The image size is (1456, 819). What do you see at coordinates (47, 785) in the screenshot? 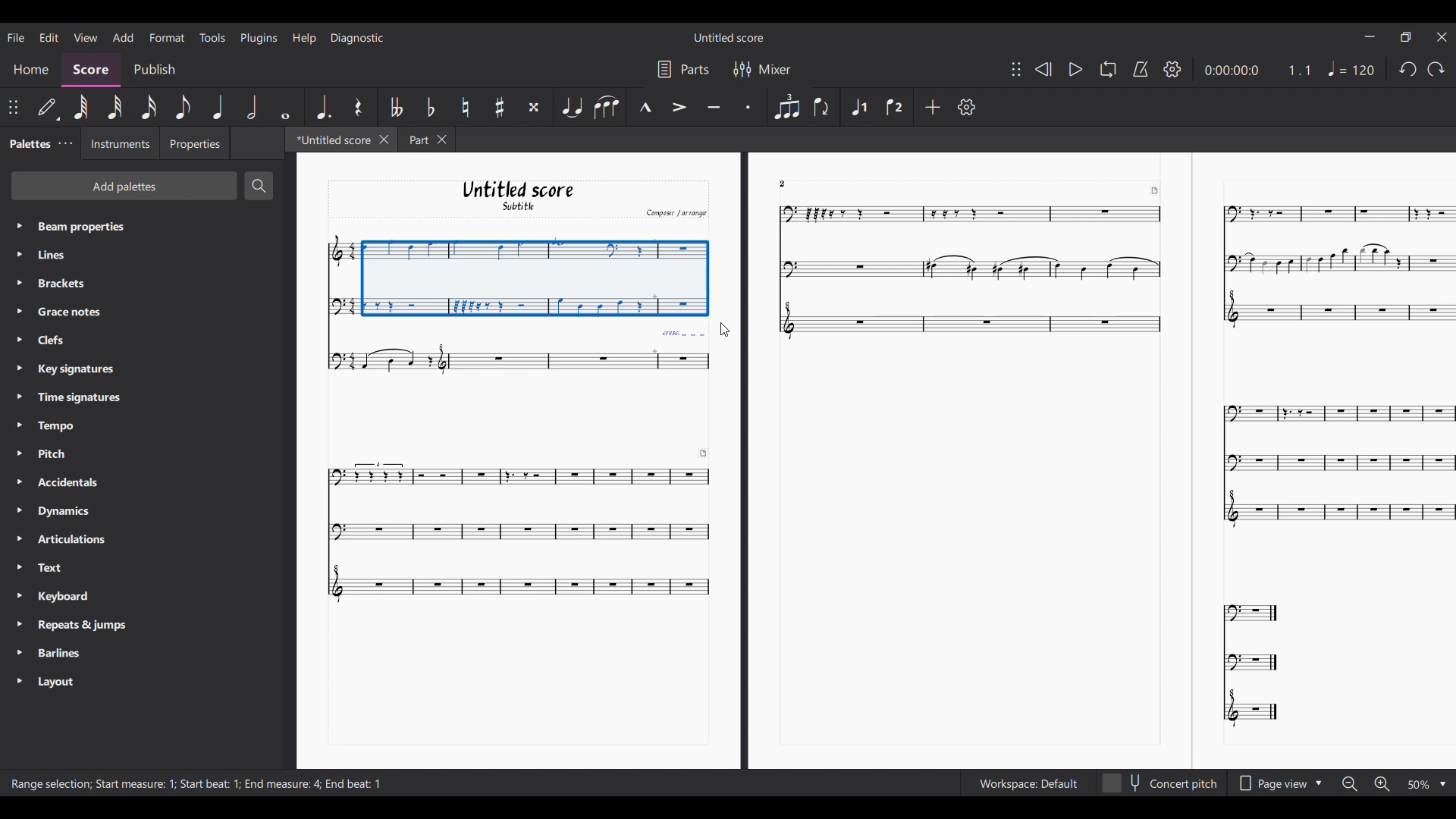
I see `range selection ;` at bounding box center [47, 785].